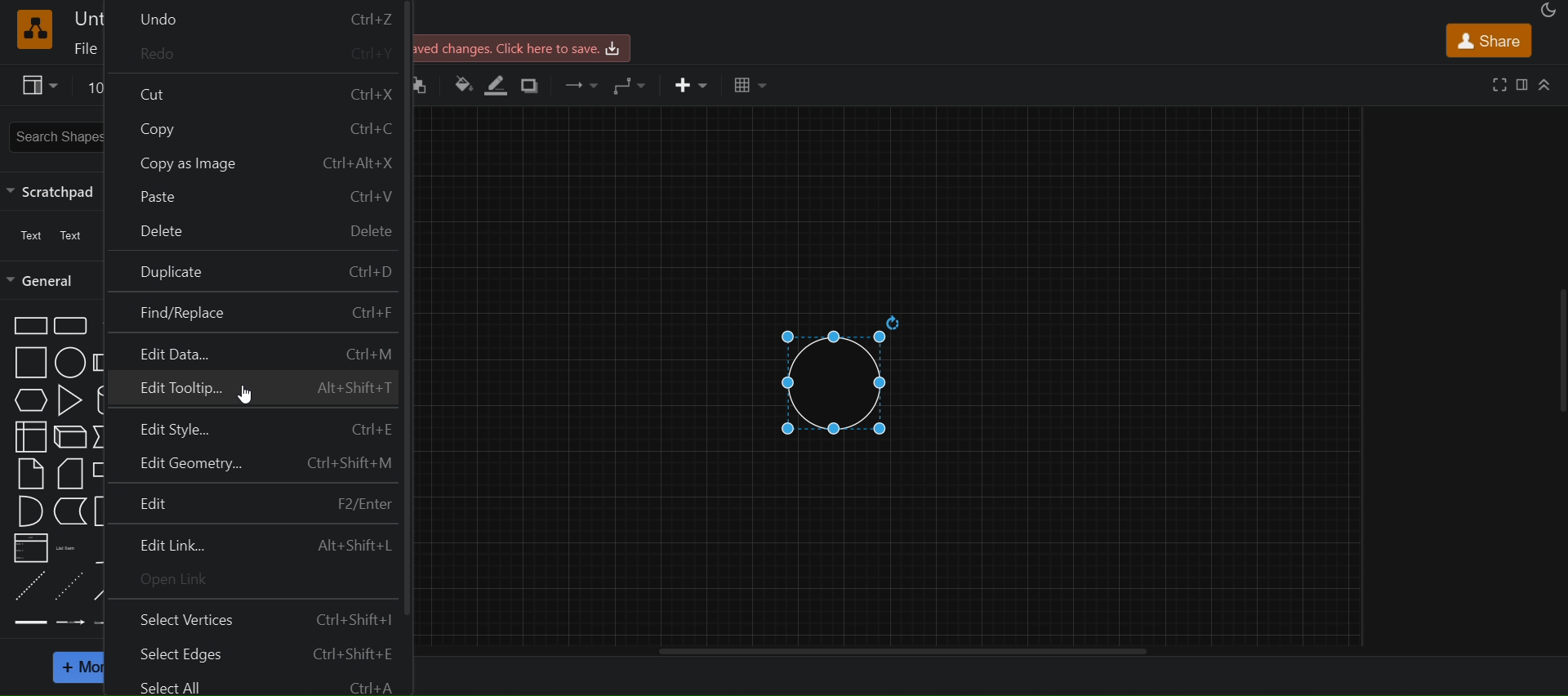 The image size is (1568, 696). What do you see at coordinates (462, 87) in the screenshot?
I see `fill color` at bounding box center [462, 87].